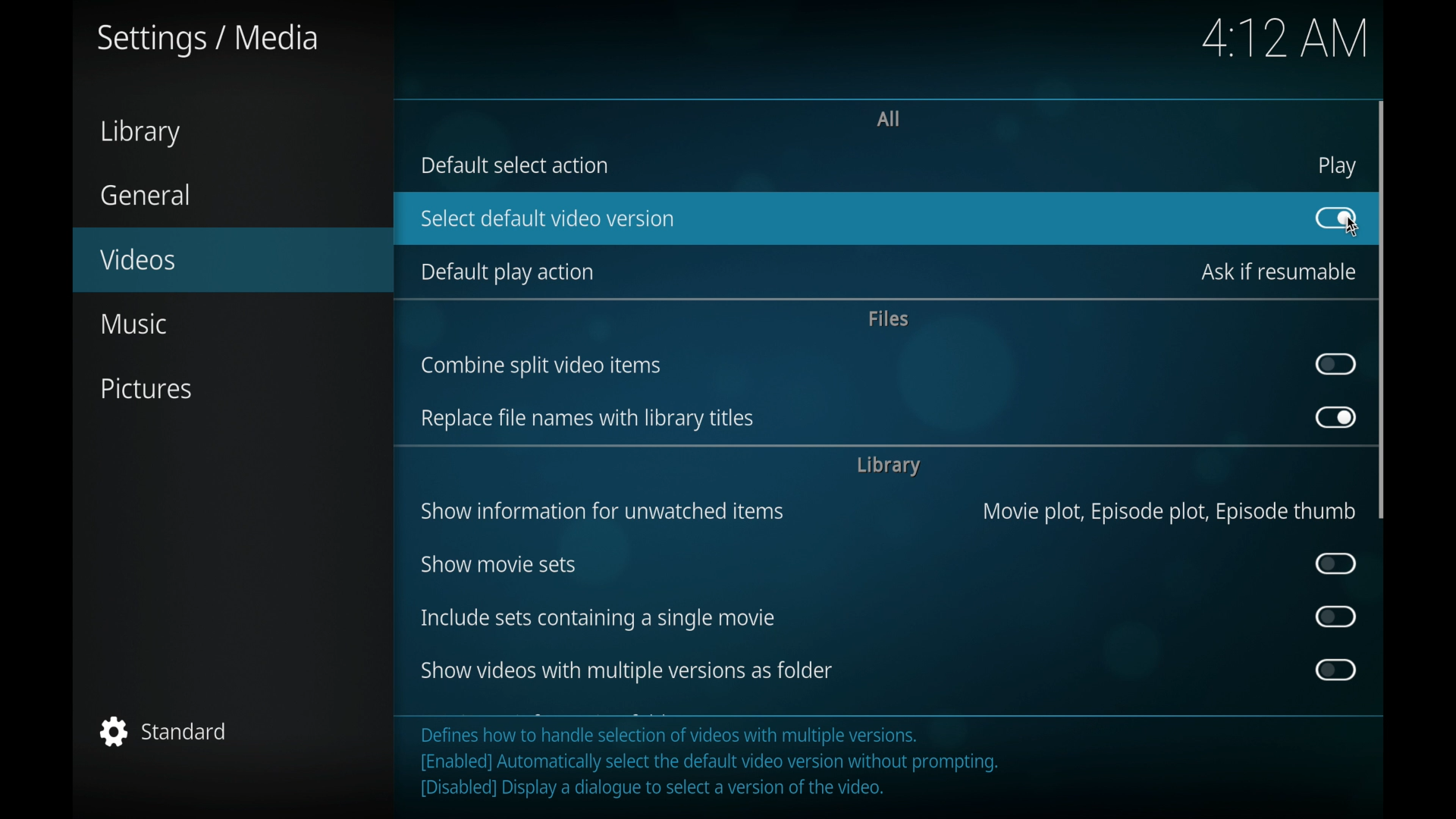 The image size is (1456, 819). Describe the element at coordinates (1336, 617) in the screenshot. I see `toggle button` at that location.